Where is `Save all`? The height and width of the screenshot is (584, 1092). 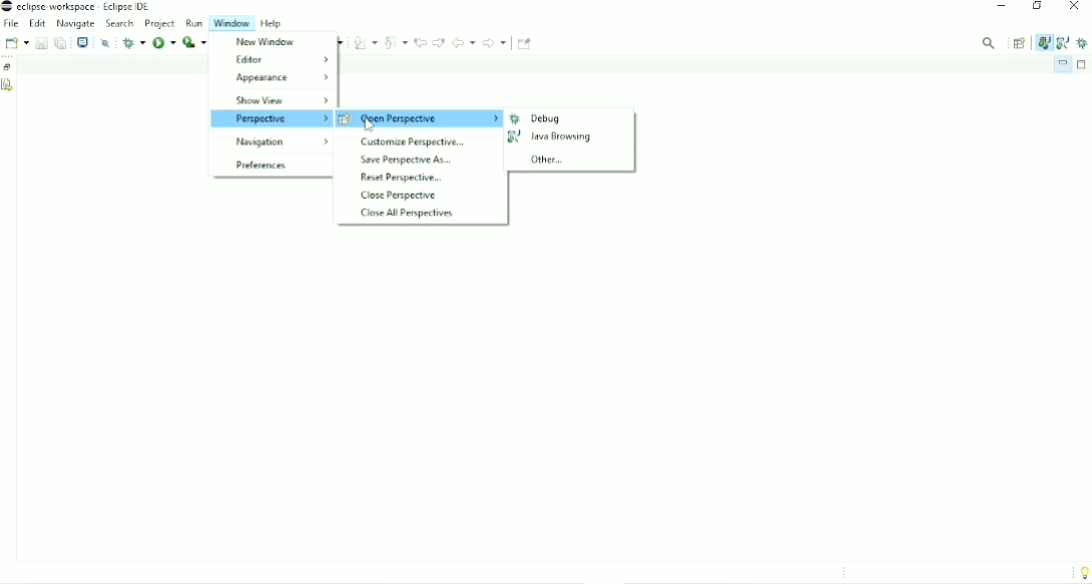 Save all is located at coordinates (60, 42).